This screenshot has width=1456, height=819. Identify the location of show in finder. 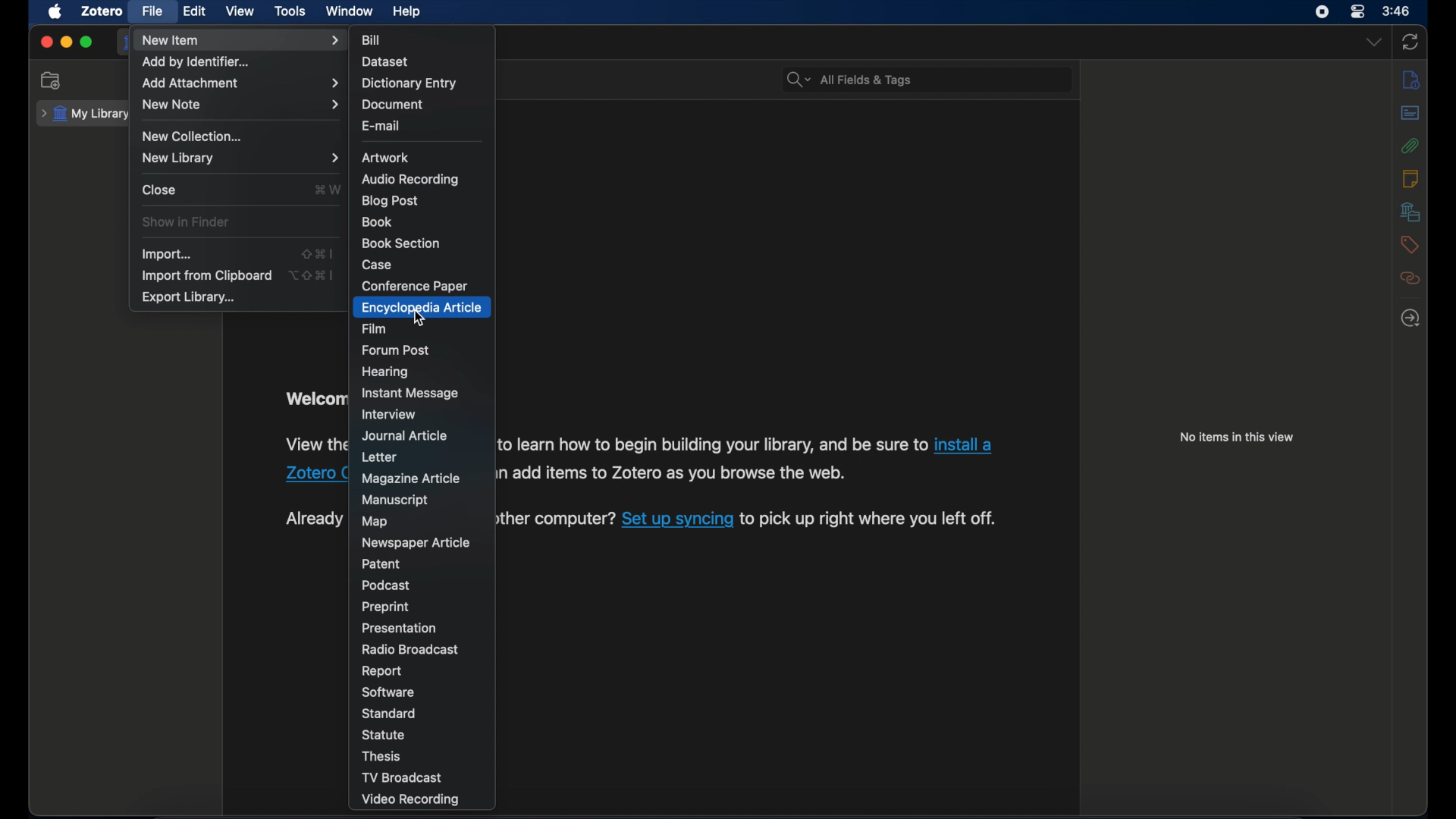
(185, 222).